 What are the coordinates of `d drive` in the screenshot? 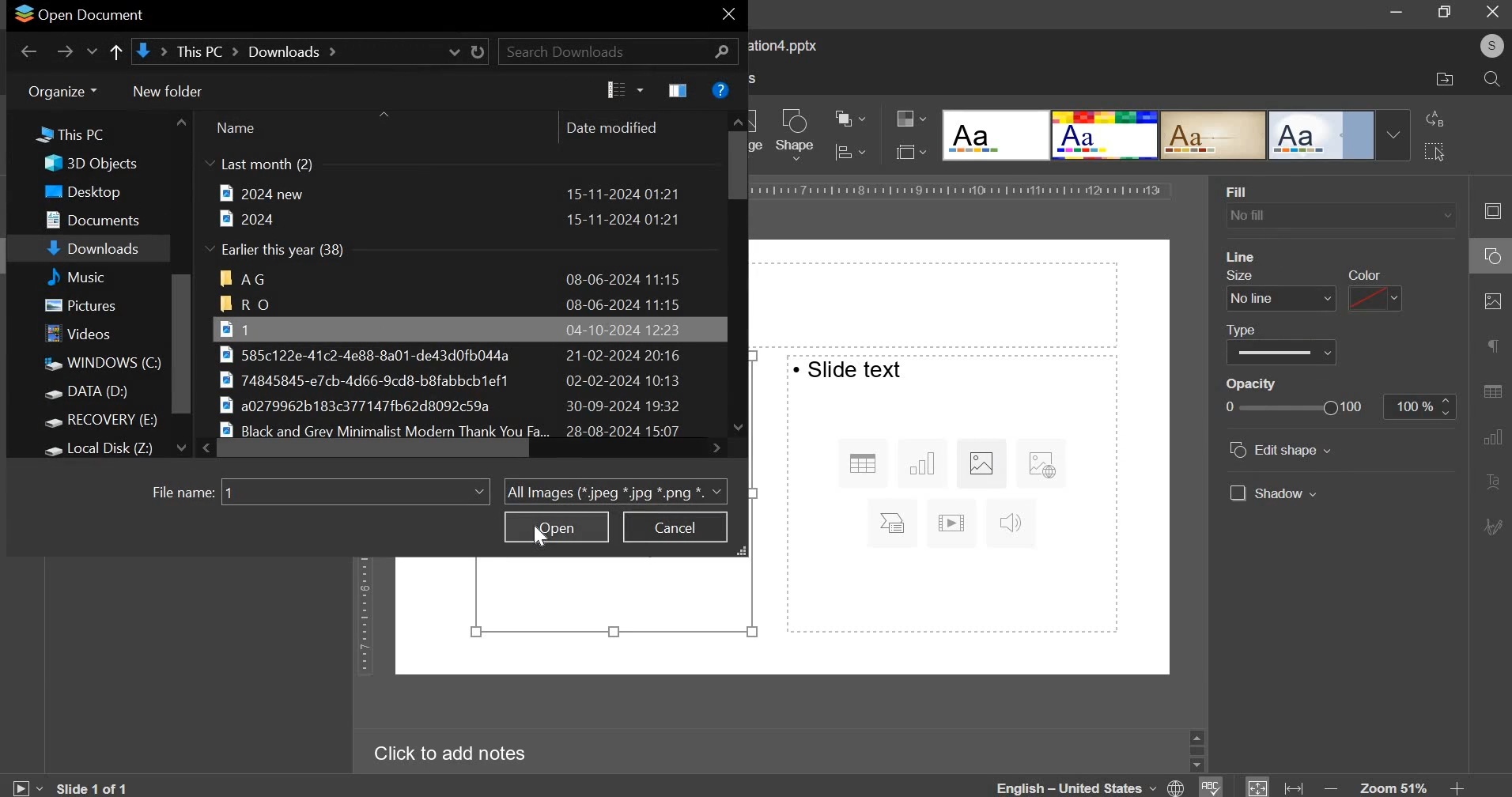 It's located at (96, 394).